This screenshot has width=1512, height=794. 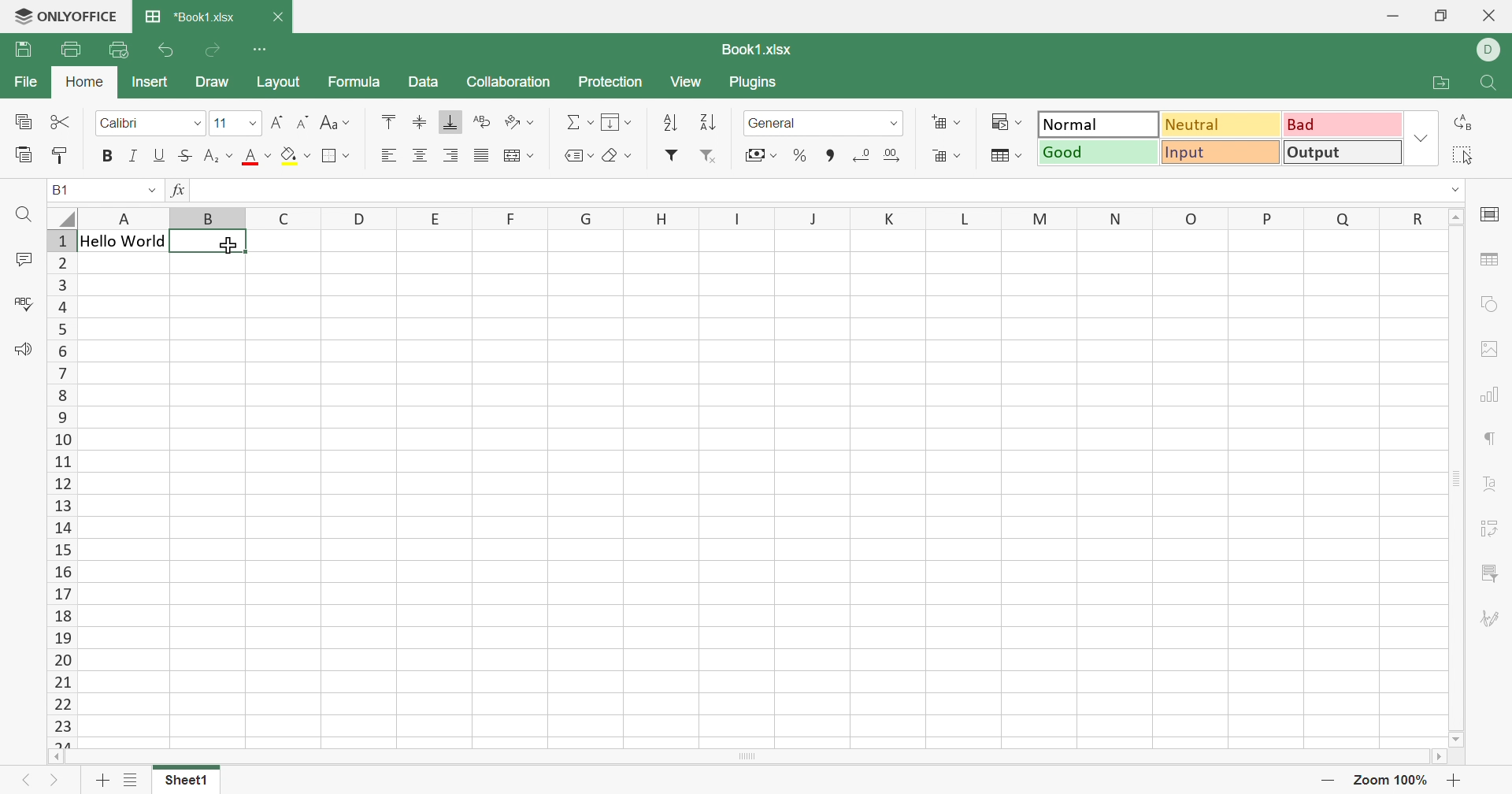 What do you see at coordinates (24, 80) in the screenshot?
I see `File` at bounding box center [24, 80].